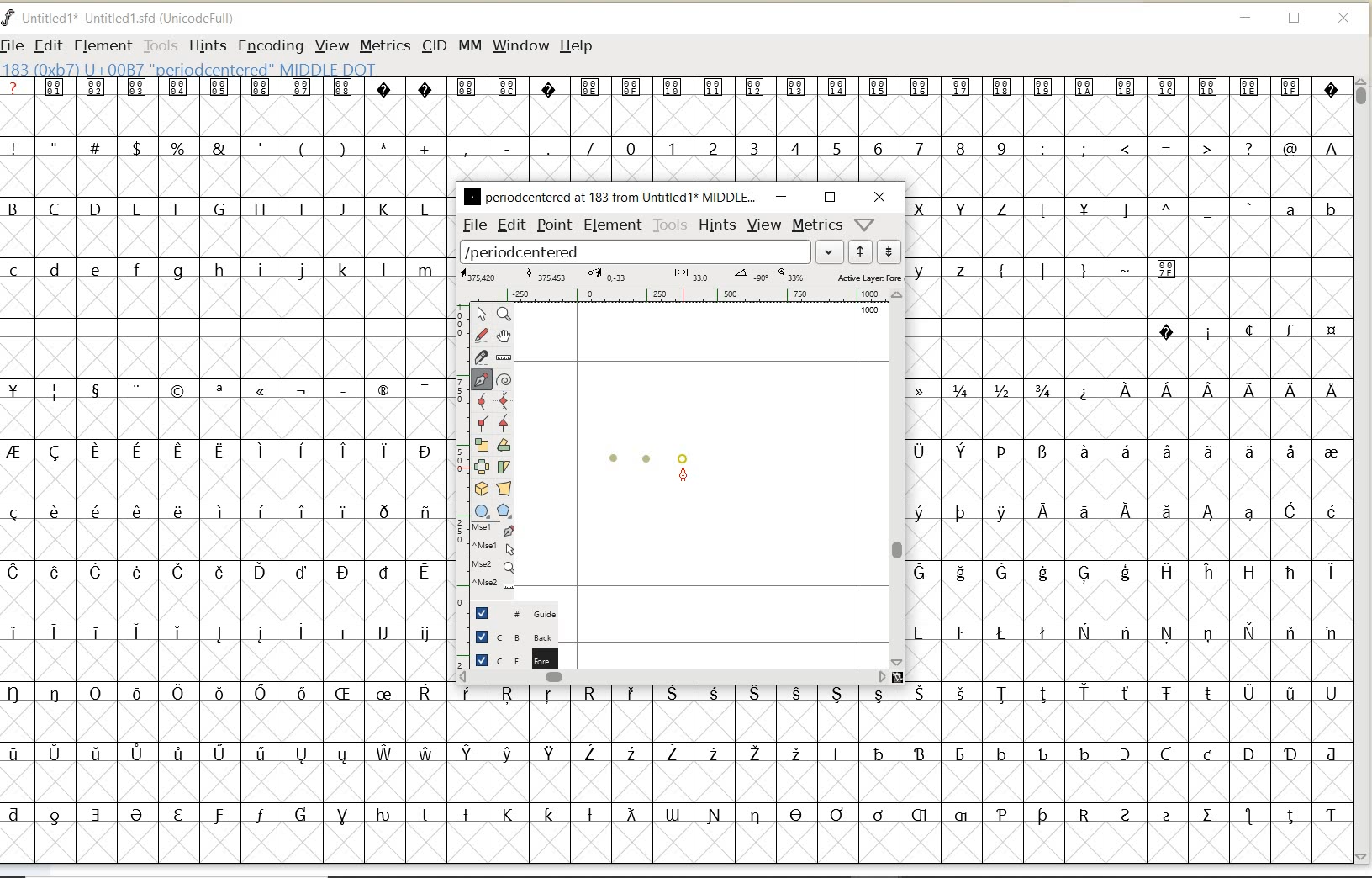 The width and height of the screenshot is (1372, 878). What do you see at coordinates (673, 677) in the screenshot?
I see `scrollbar` at bounding box center [673, 677].